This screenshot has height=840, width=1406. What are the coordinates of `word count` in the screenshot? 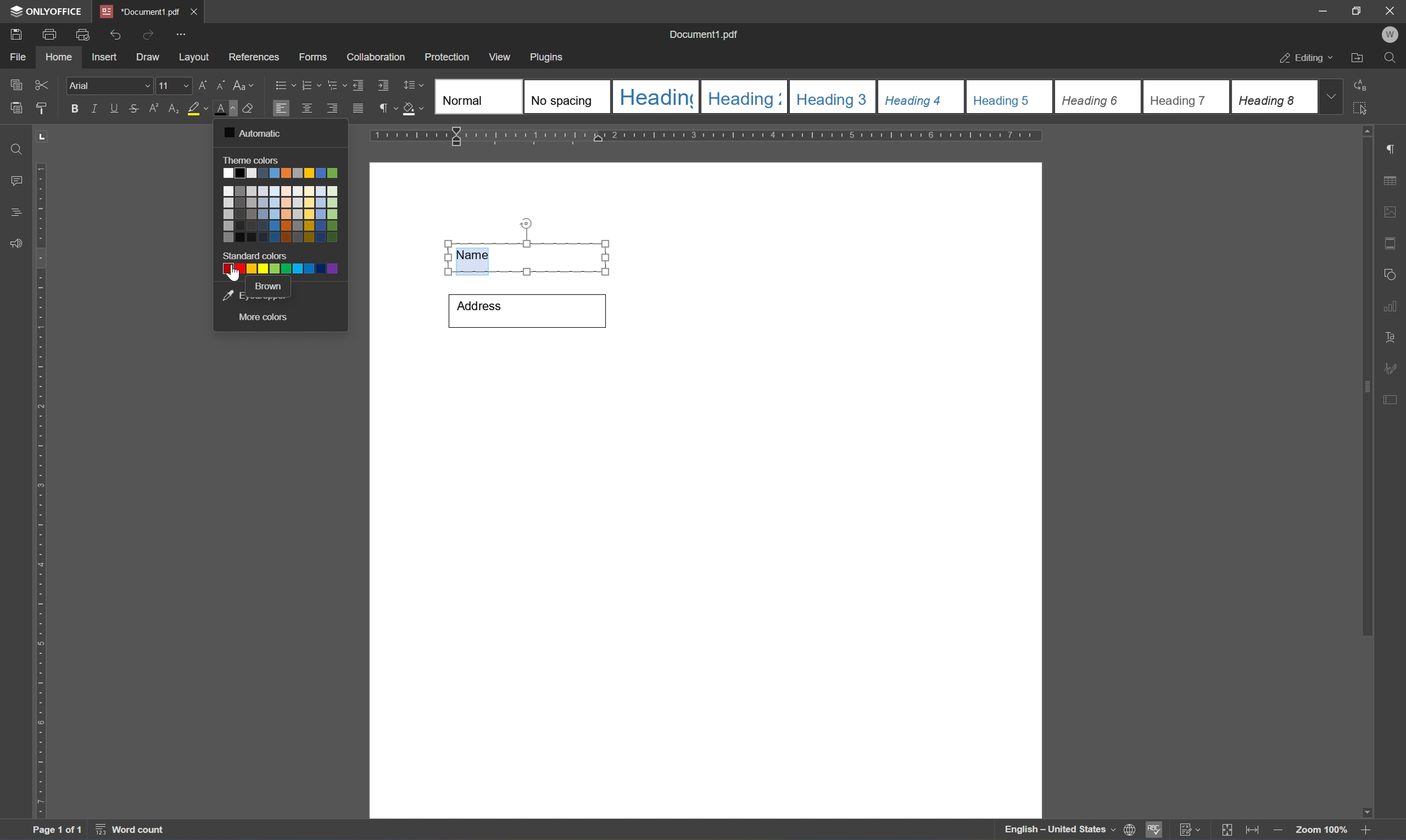 It's located at (128, 831).